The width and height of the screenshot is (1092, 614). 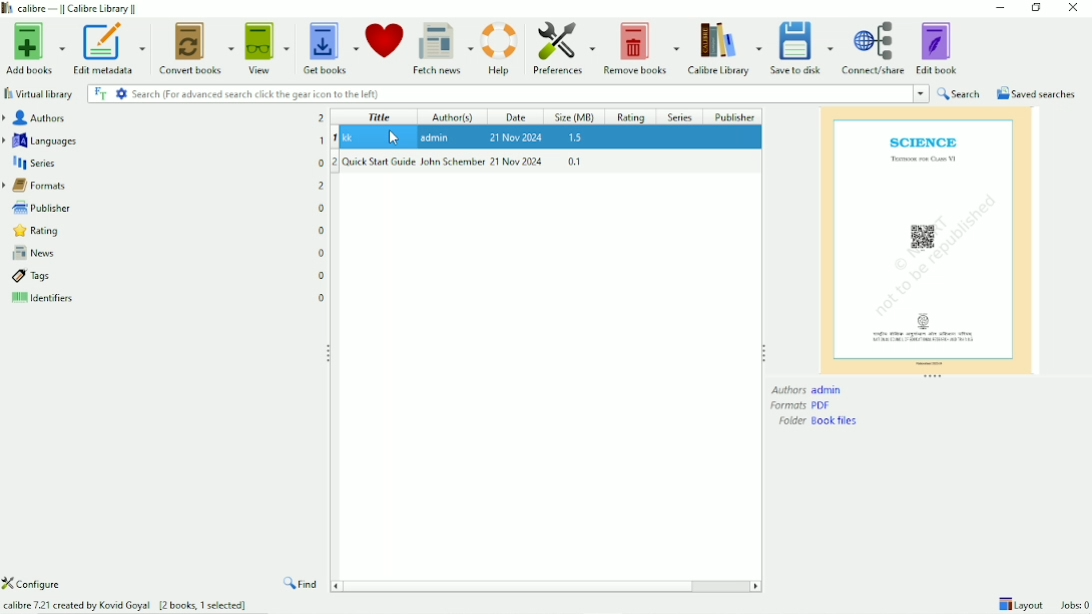 What do you see at coordinates (39, 584) in the screenshot?
I see `Configure` at bounding box center [39, 584].